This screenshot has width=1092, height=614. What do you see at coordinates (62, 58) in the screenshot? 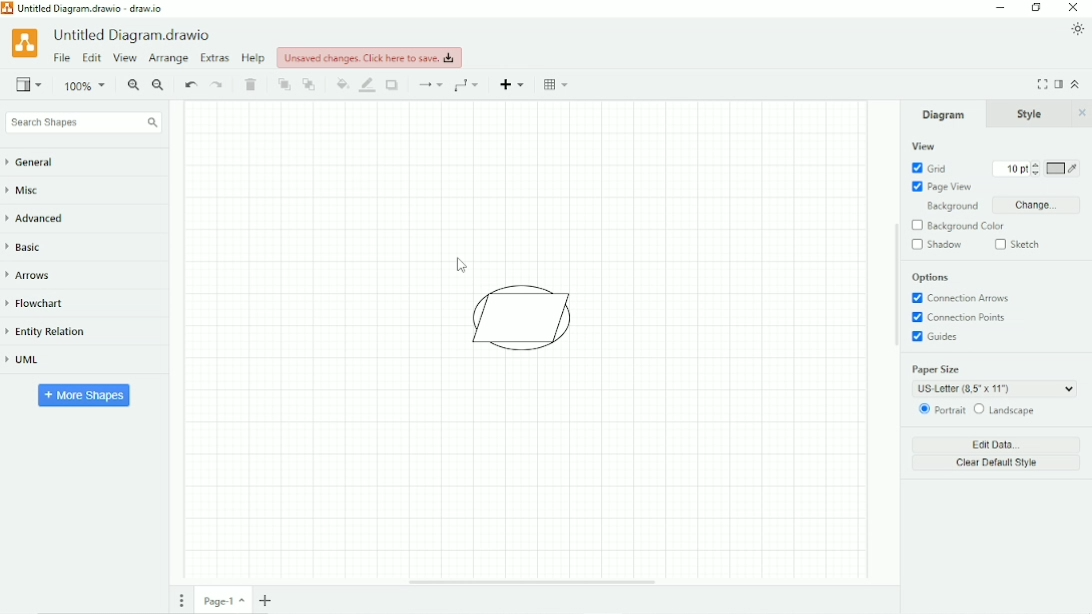
I see `File` at bounding box center [62, 58].